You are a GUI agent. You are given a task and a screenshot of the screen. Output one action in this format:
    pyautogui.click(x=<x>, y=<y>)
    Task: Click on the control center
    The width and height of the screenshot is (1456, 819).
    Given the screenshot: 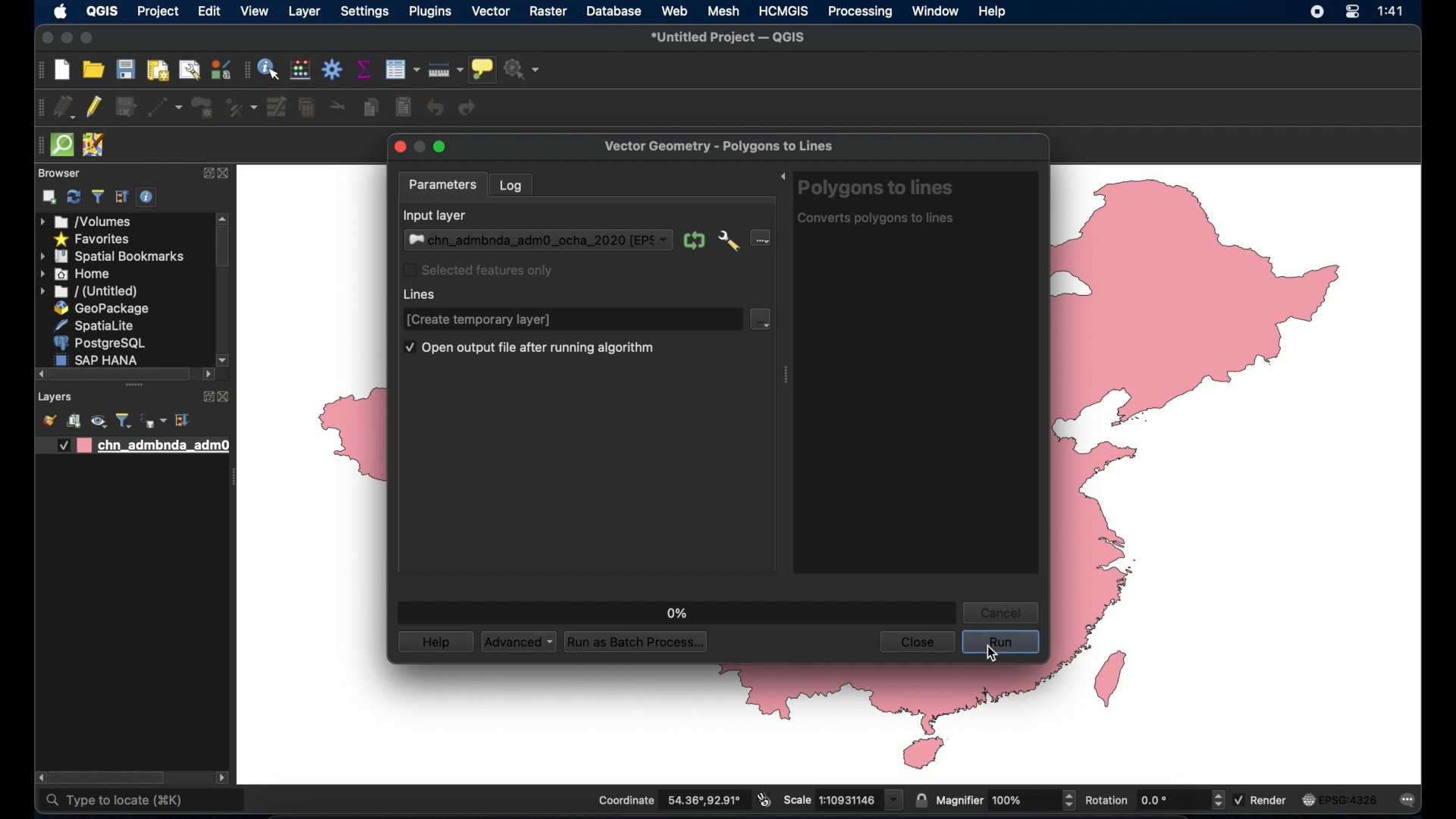 What is the action you would take?
    pyautogui.click(x=1351, y=14)
    